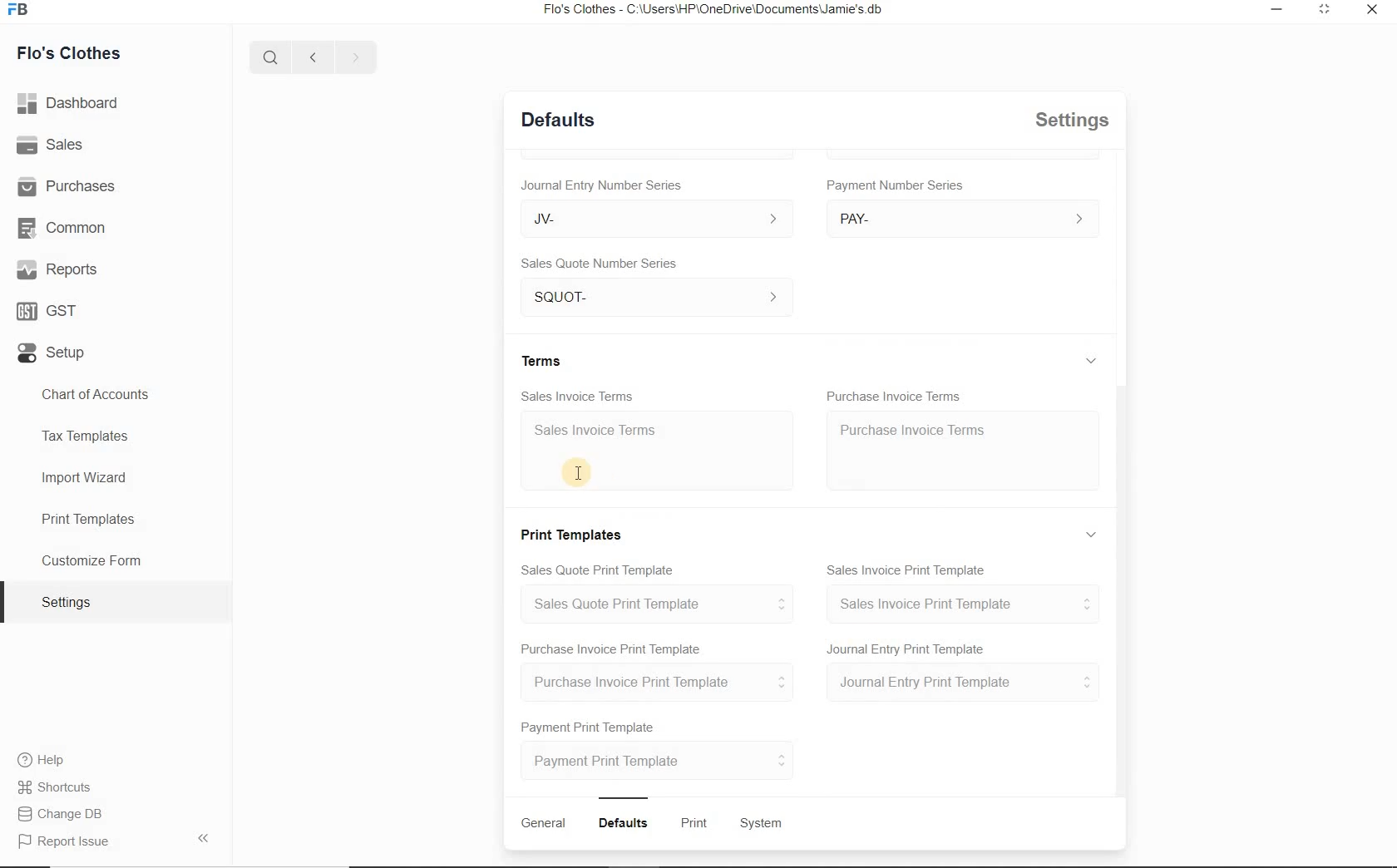 The height and width of the screenshot is (868, 1397). I want to click on Change DB, so click(59, 814).